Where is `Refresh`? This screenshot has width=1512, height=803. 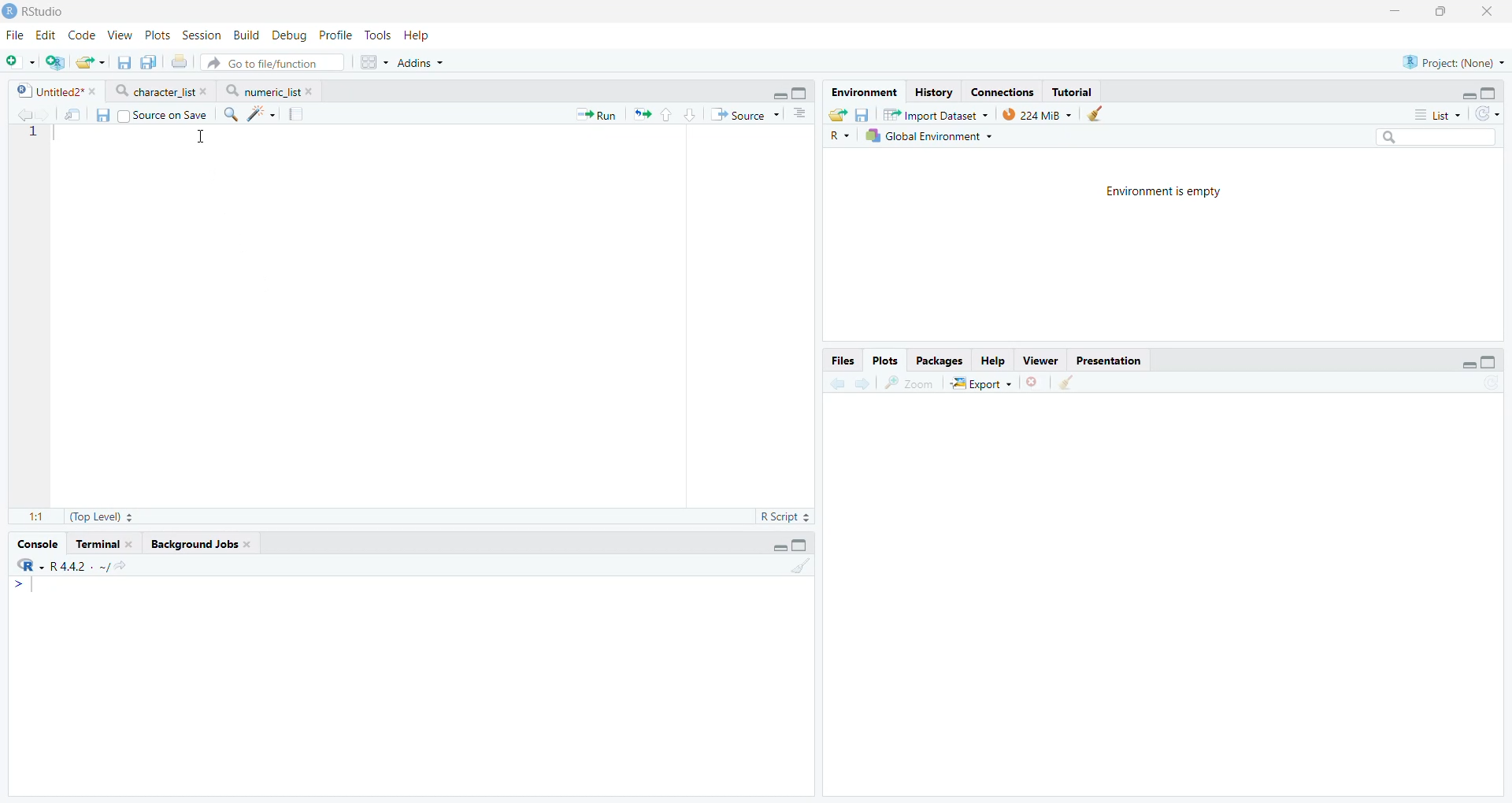 Refresh is located at coordinates (1488, 113).